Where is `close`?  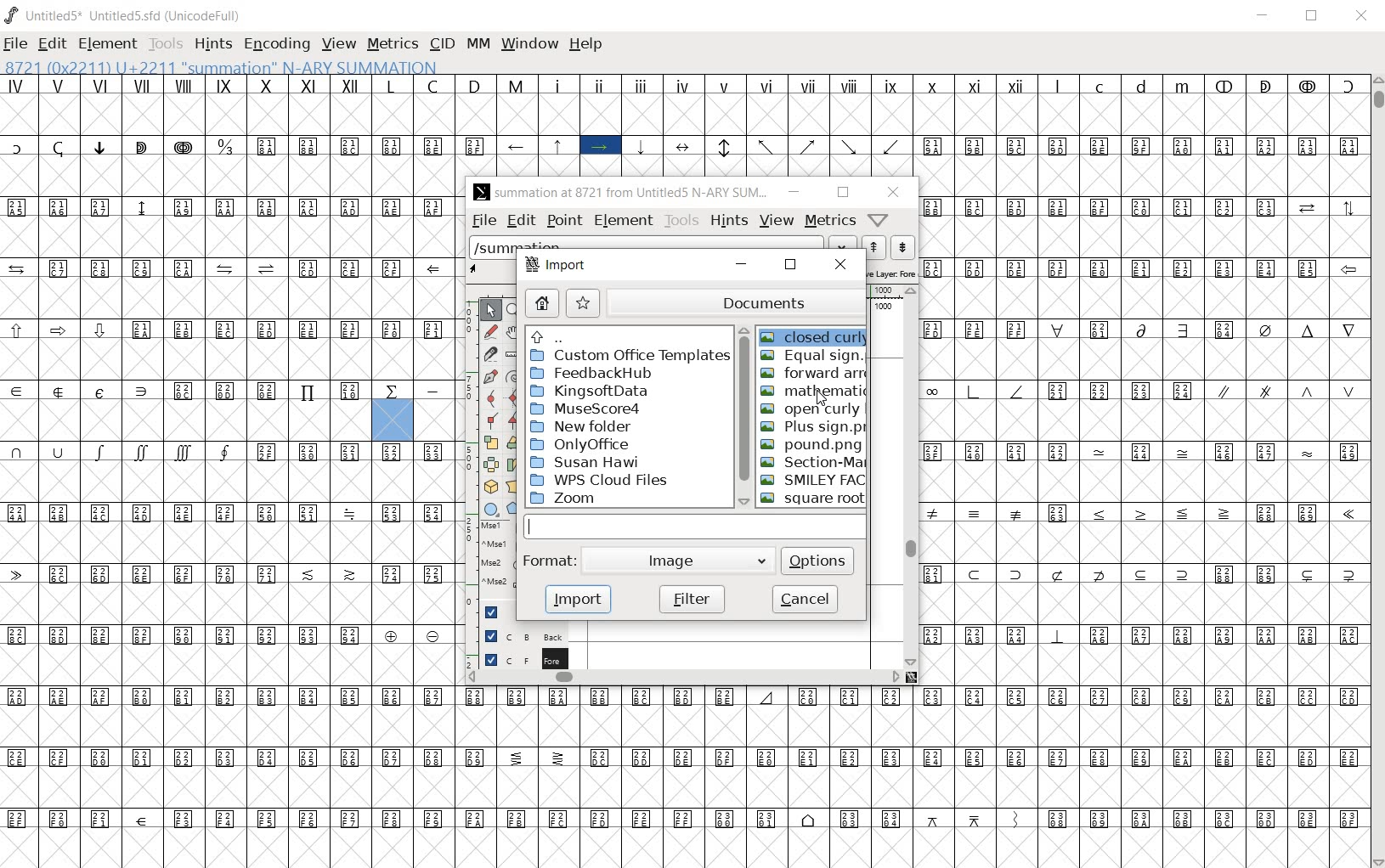 close is located at coordinates (892, 192).